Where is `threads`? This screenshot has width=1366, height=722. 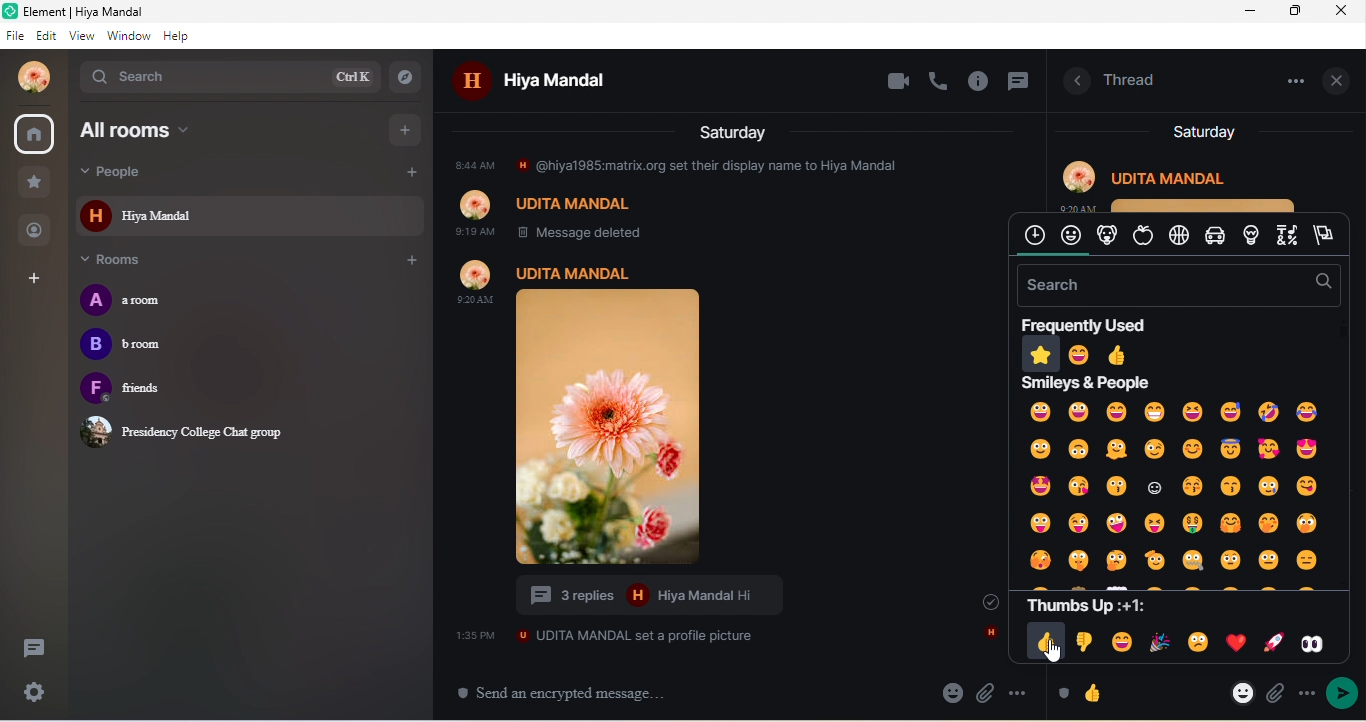 threads is located at coordinates (32, 651).